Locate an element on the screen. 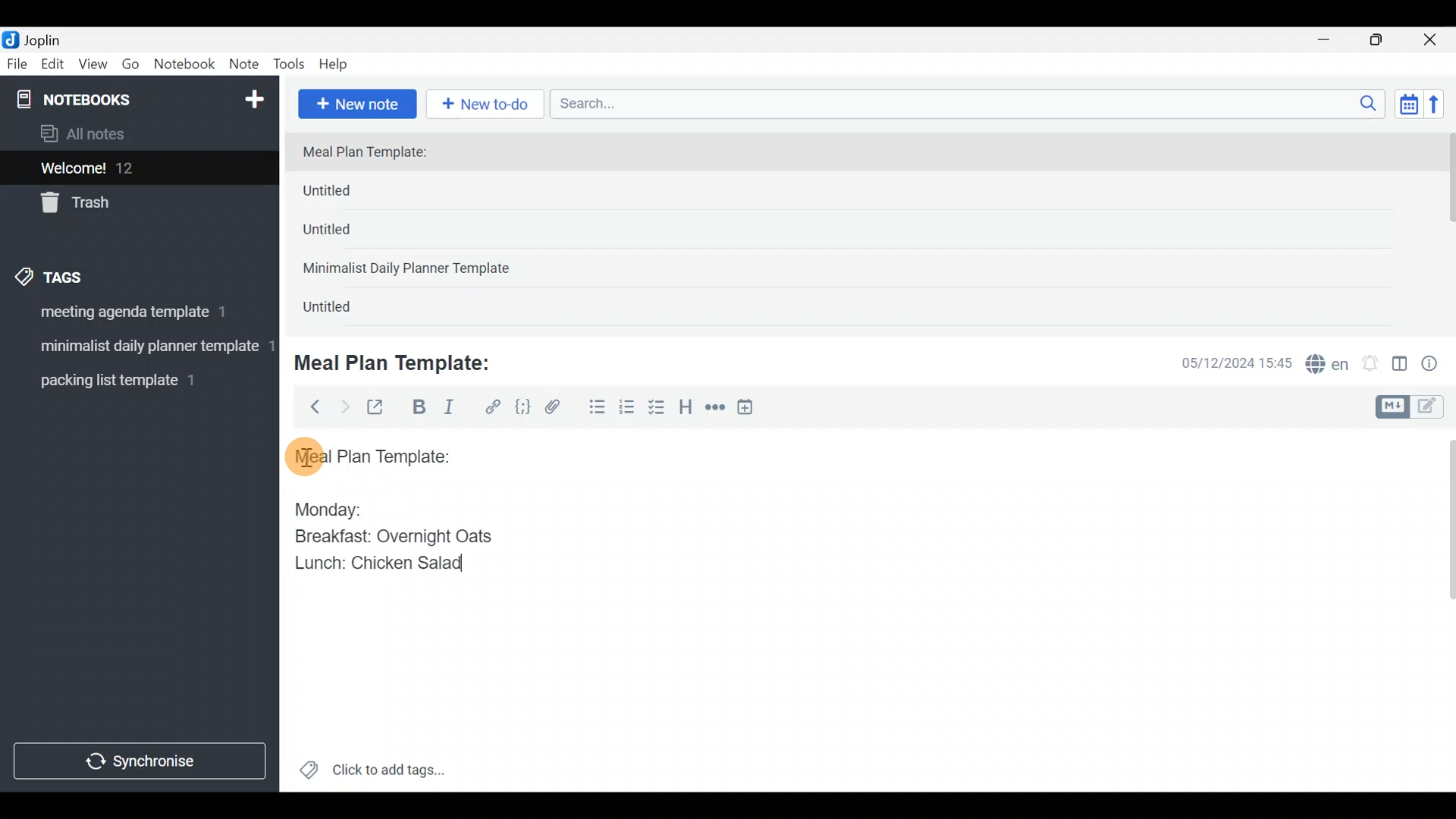 This screenshot has height=819, width=1456. Tags is located at coordinates (85, 275).